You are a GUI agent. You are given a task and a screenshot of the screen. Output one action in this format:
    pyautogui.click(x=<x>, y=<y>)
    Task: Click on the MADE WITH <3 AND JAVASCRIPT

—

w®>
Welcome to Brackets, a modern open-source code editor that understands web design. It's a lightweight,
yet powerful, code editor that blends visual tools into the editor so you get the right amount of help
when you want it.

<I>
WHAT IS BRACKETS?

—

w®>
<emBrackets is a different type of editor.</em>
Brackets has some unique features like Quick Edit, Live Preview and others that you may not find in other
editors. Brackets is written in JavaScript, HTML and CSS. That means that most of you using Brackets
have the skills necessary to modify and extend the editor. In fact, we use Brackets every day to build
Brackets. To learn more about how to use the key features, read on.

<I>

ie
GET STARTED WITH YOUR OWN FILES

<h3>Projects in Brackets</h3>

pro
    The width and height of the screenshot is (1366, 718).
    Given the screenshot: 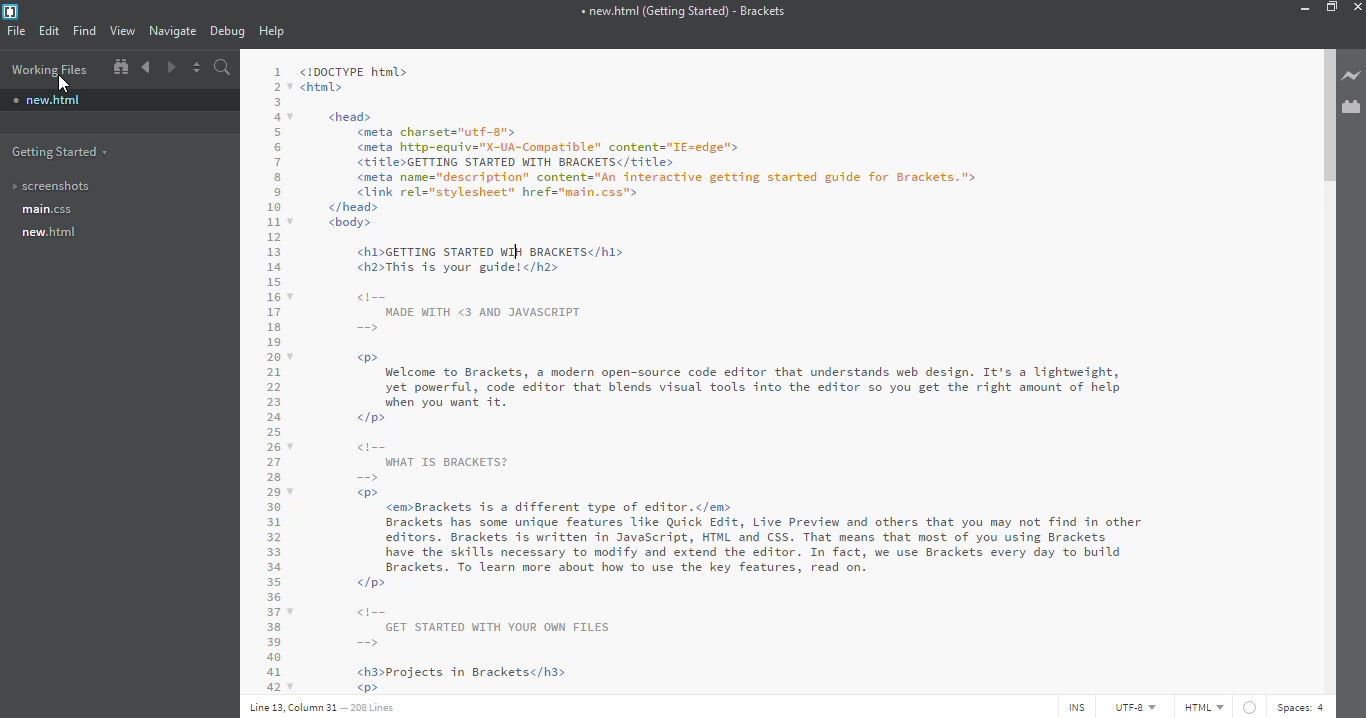 What is the action you would take?
    pyautogui.click(x=765, y=490)
    